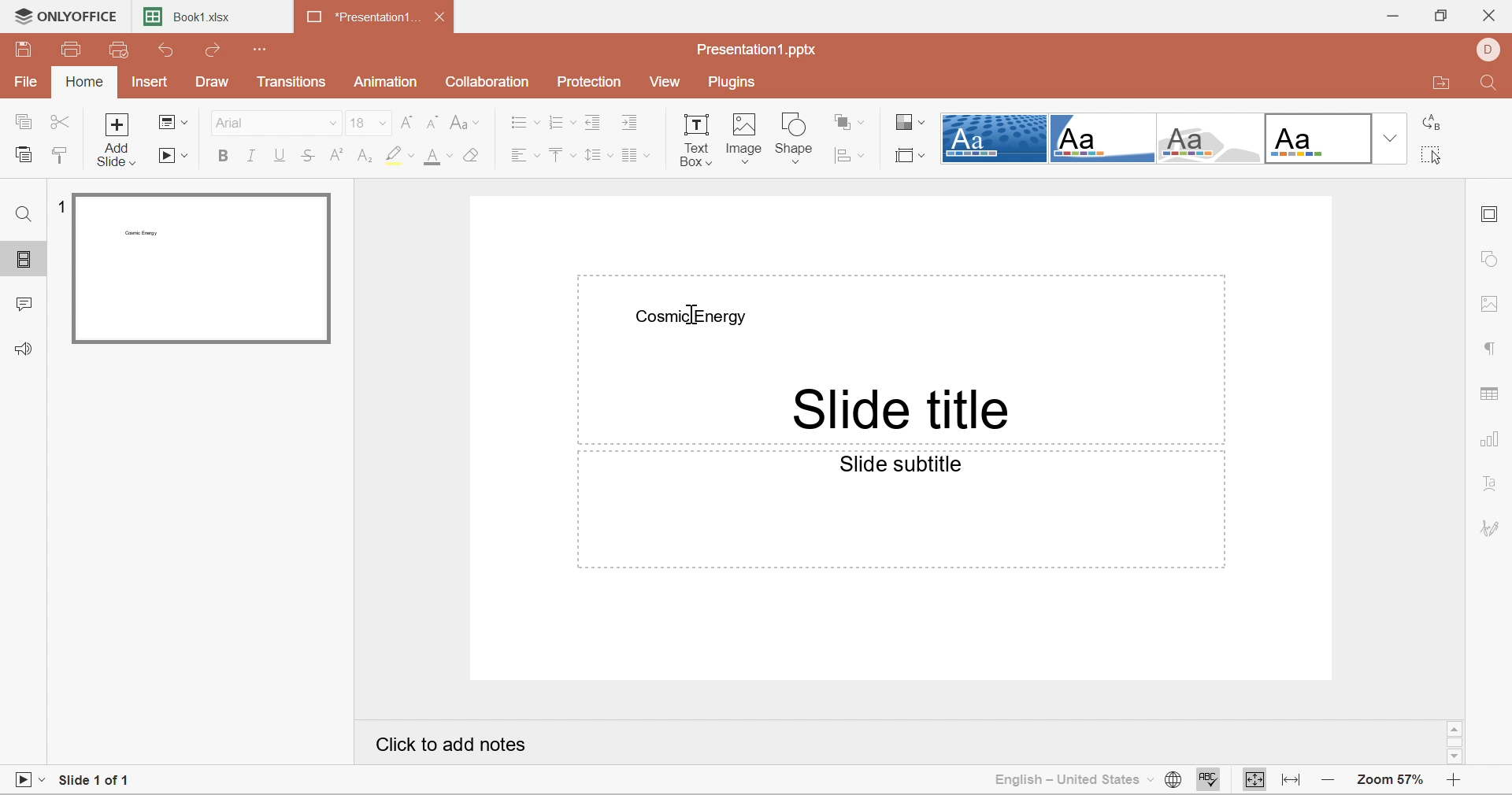 The height and width of the screenshot is (795, 1512). I want to click on *Presentation1, so click(365, 20).